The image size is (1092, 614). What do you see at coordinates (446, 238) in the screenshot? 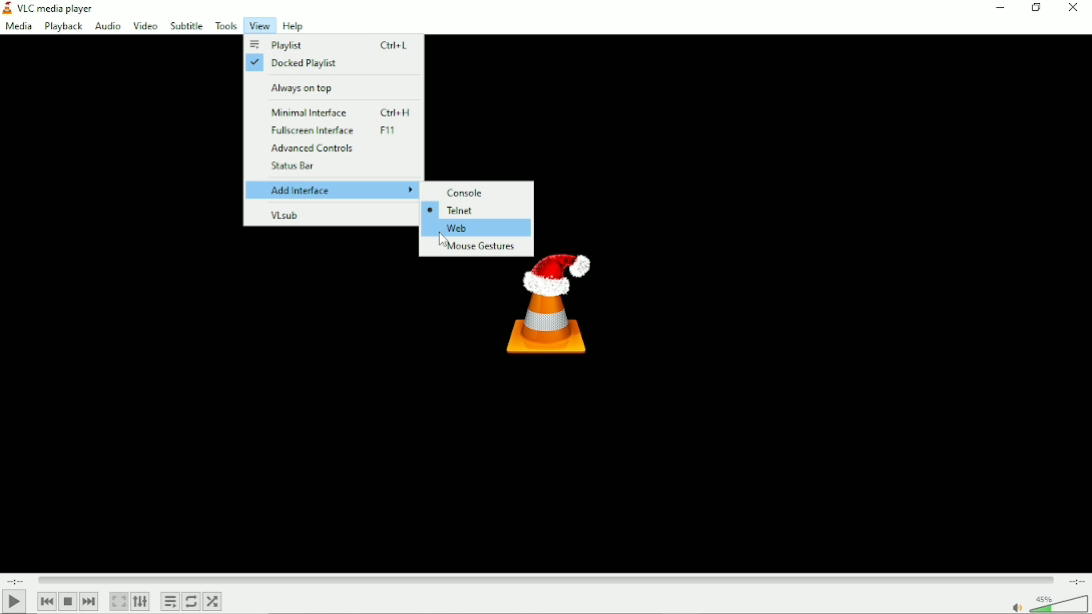
I see `Cursor` at bounding box center [446, 238].